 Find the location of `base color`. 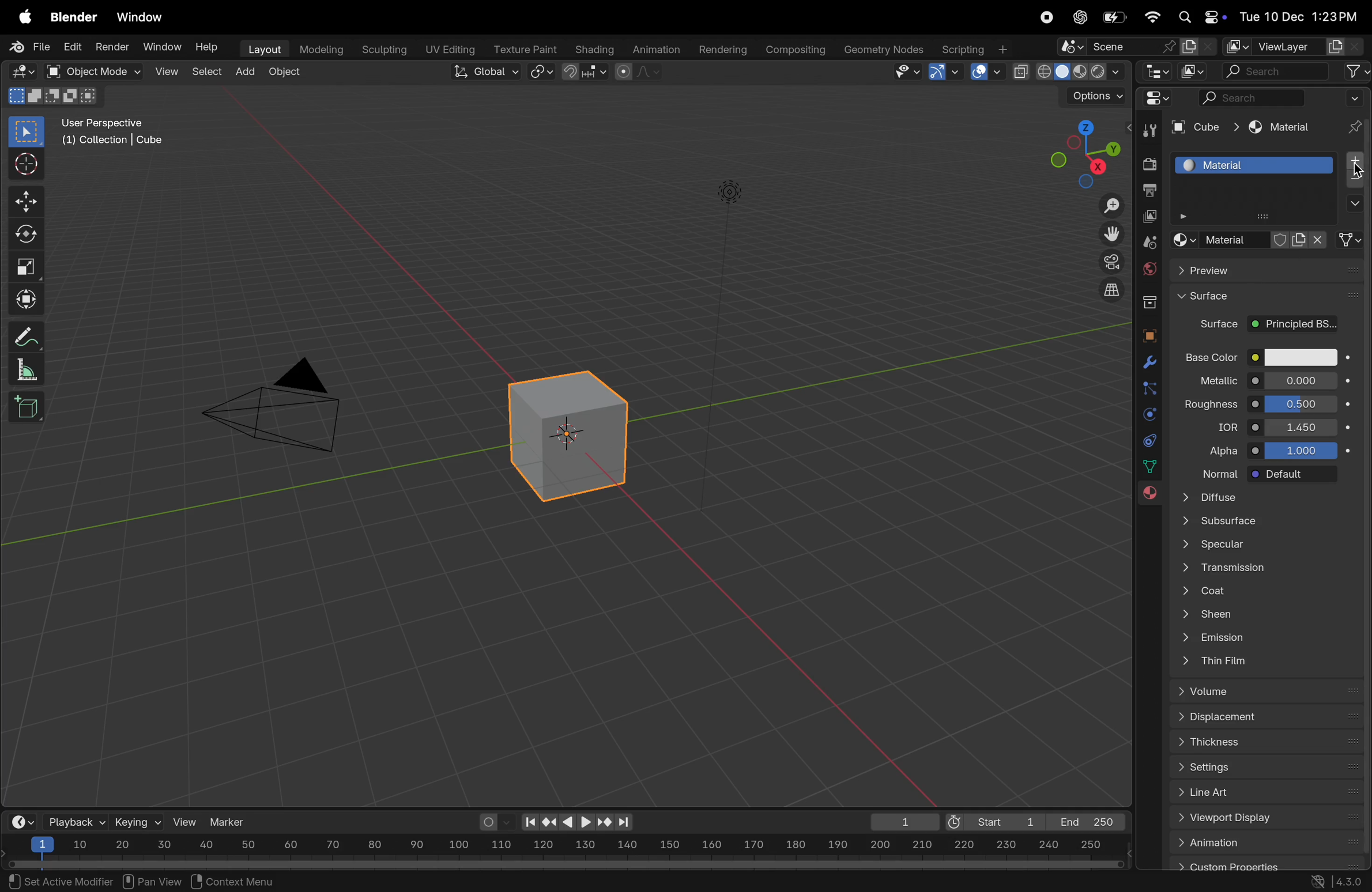

base color is located at coordinates (1208, 357).